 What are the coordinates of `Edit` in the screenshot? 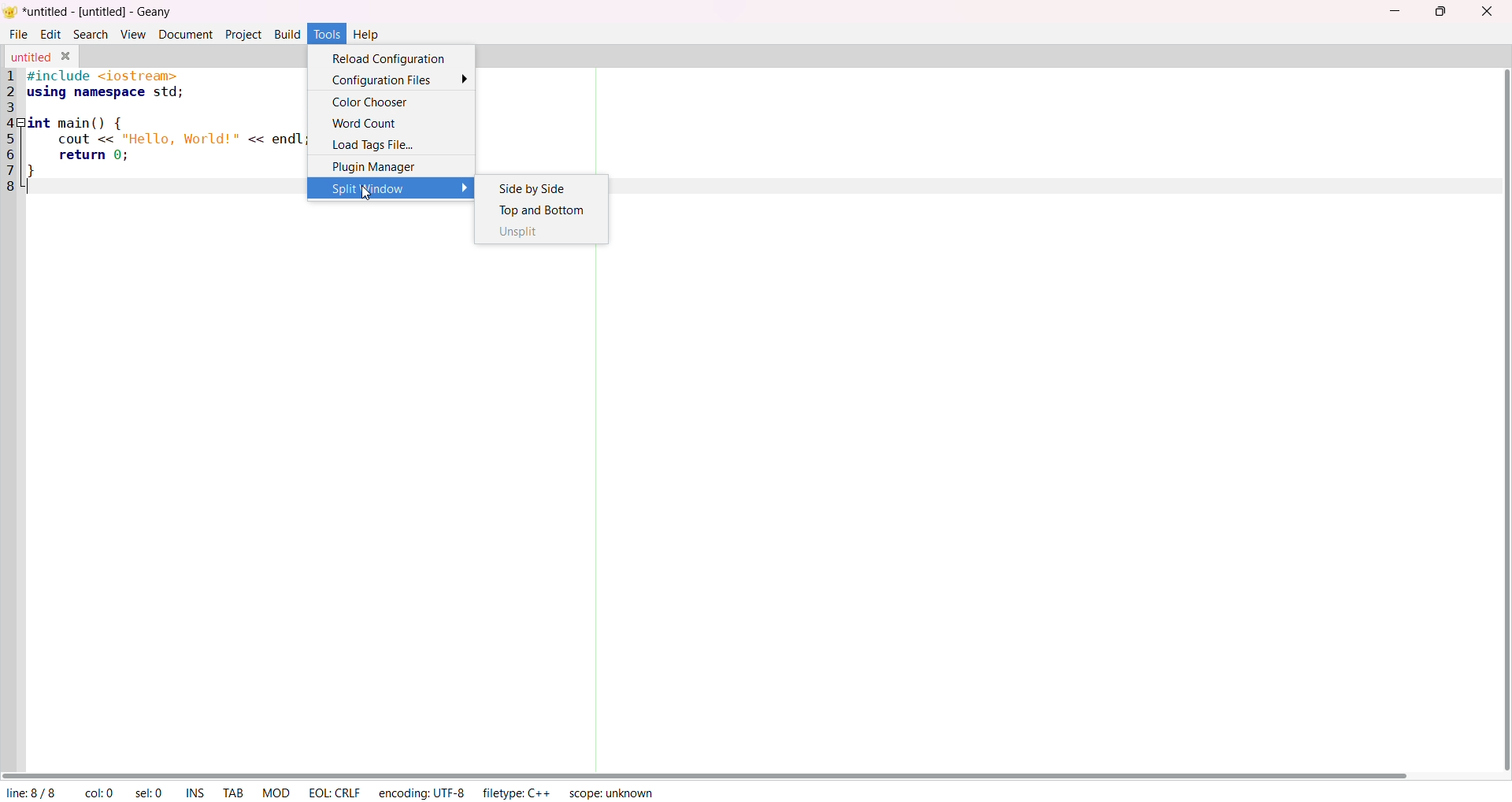 It's located at (49, 35).